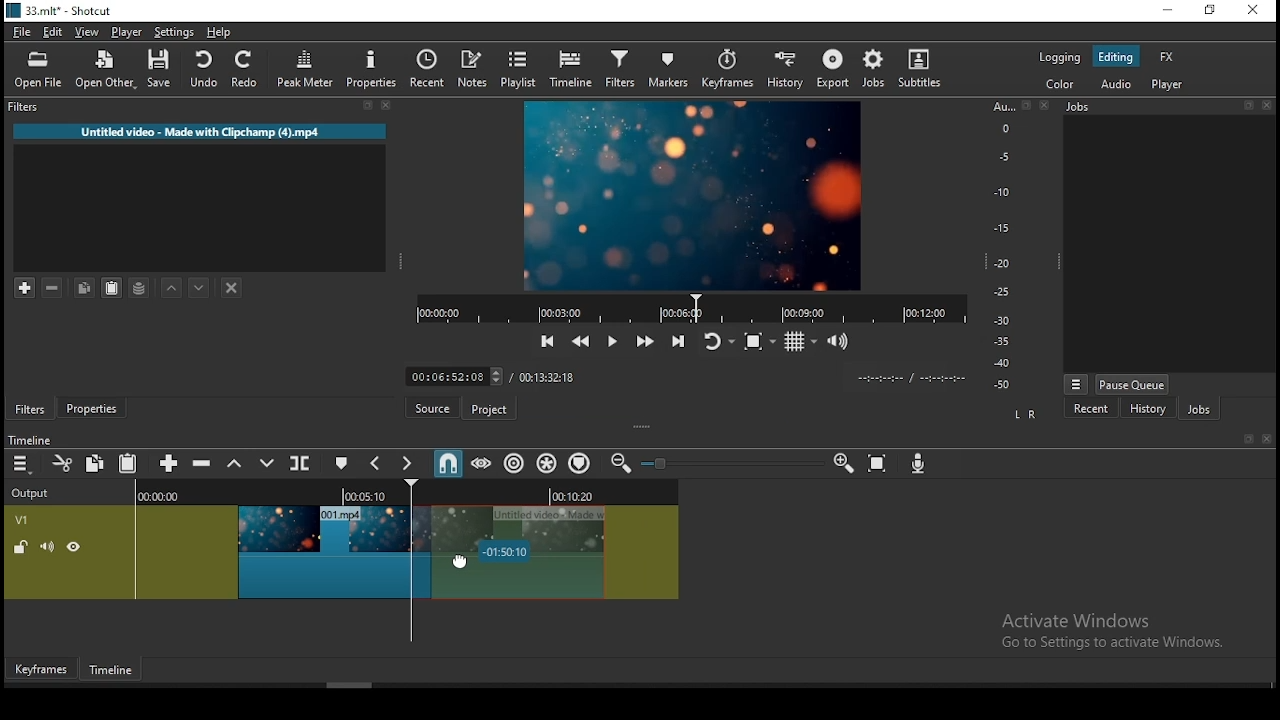  I want to click on video track, so click(27, 519).